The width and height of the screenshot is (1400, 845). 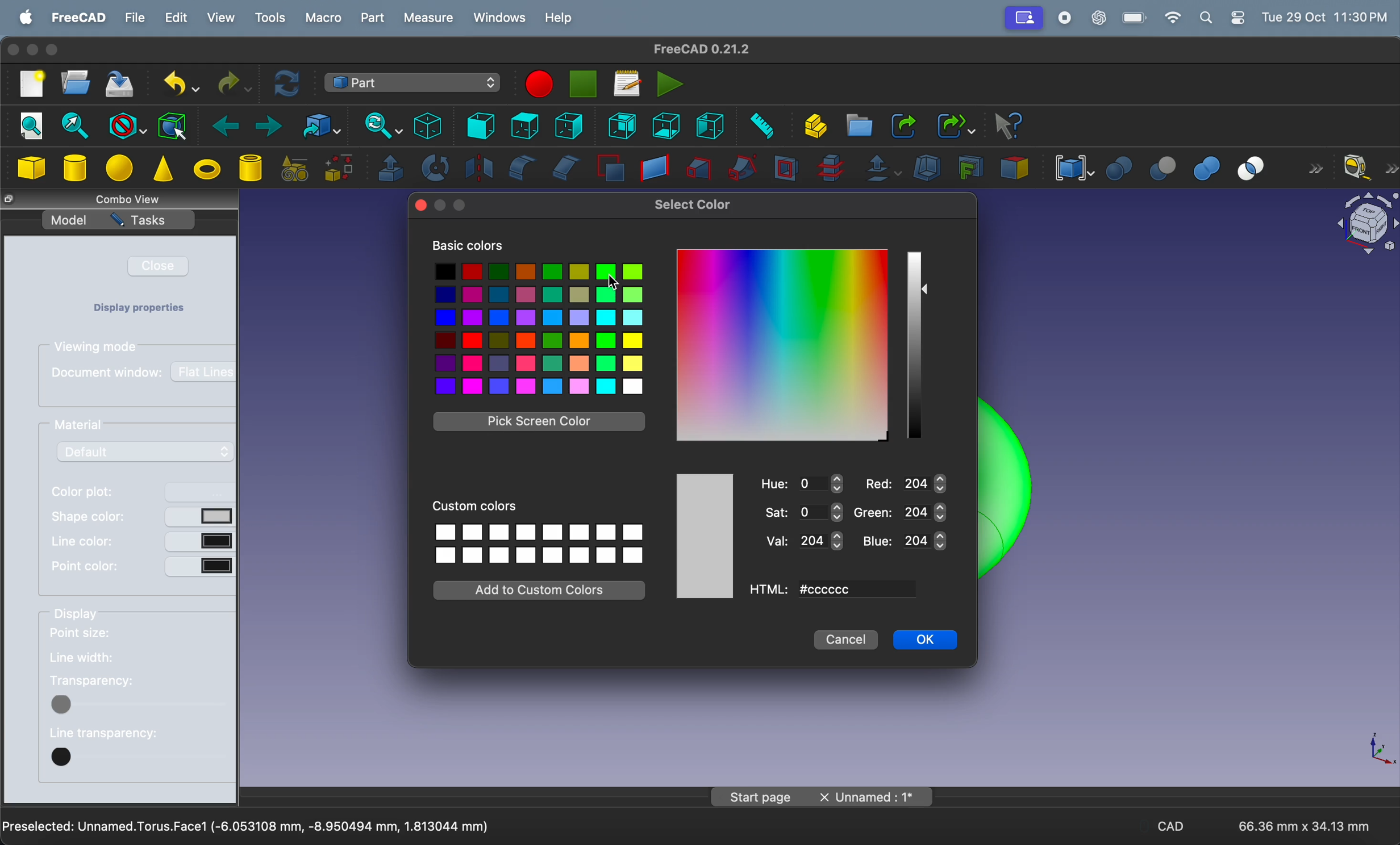 I want to click on cursor, so click(x=615, y=281).